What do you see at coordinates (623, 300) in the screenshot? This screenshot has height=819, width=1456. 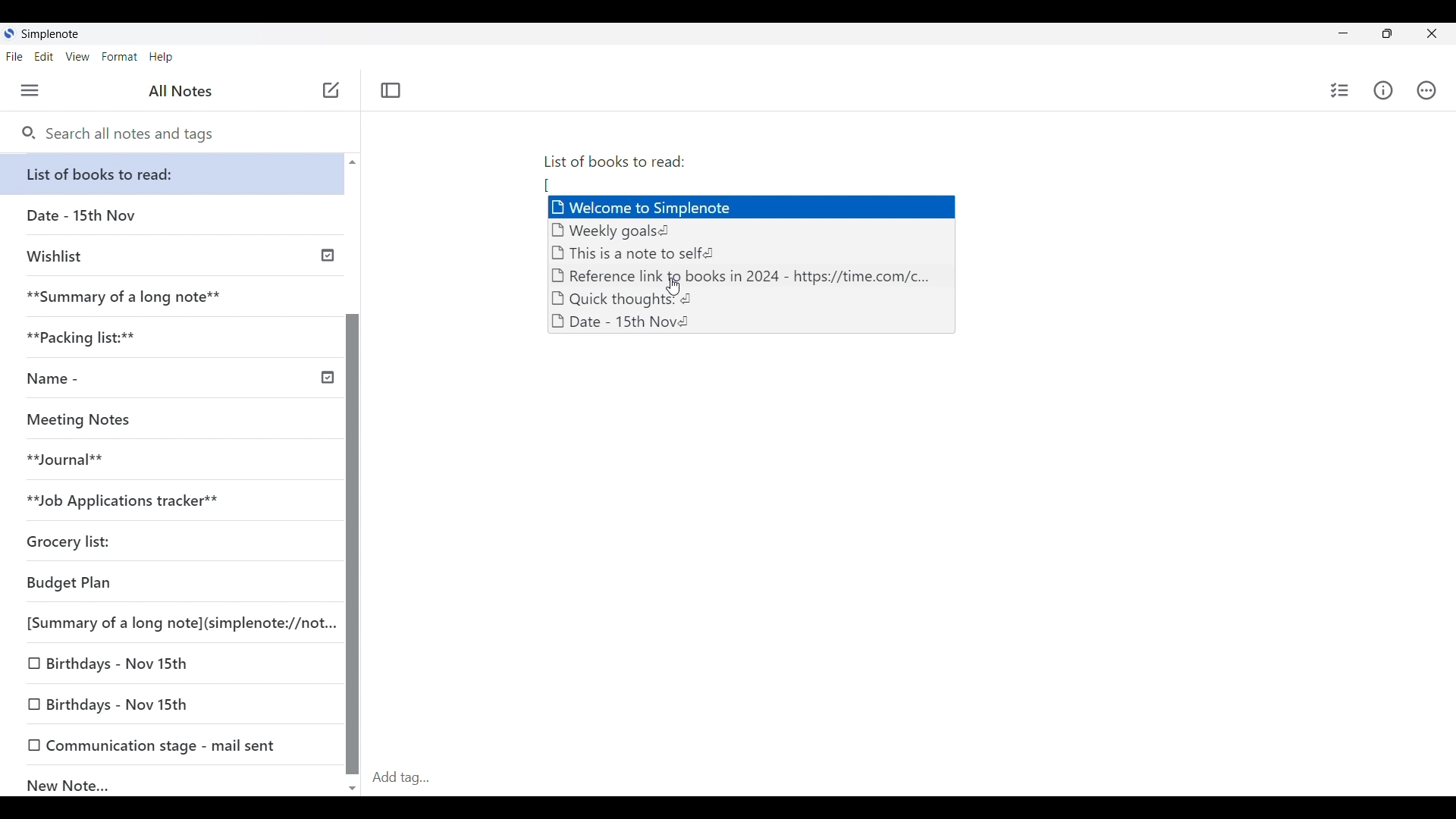 I see `Quick thoughts:` at bounding box center [623, 300].